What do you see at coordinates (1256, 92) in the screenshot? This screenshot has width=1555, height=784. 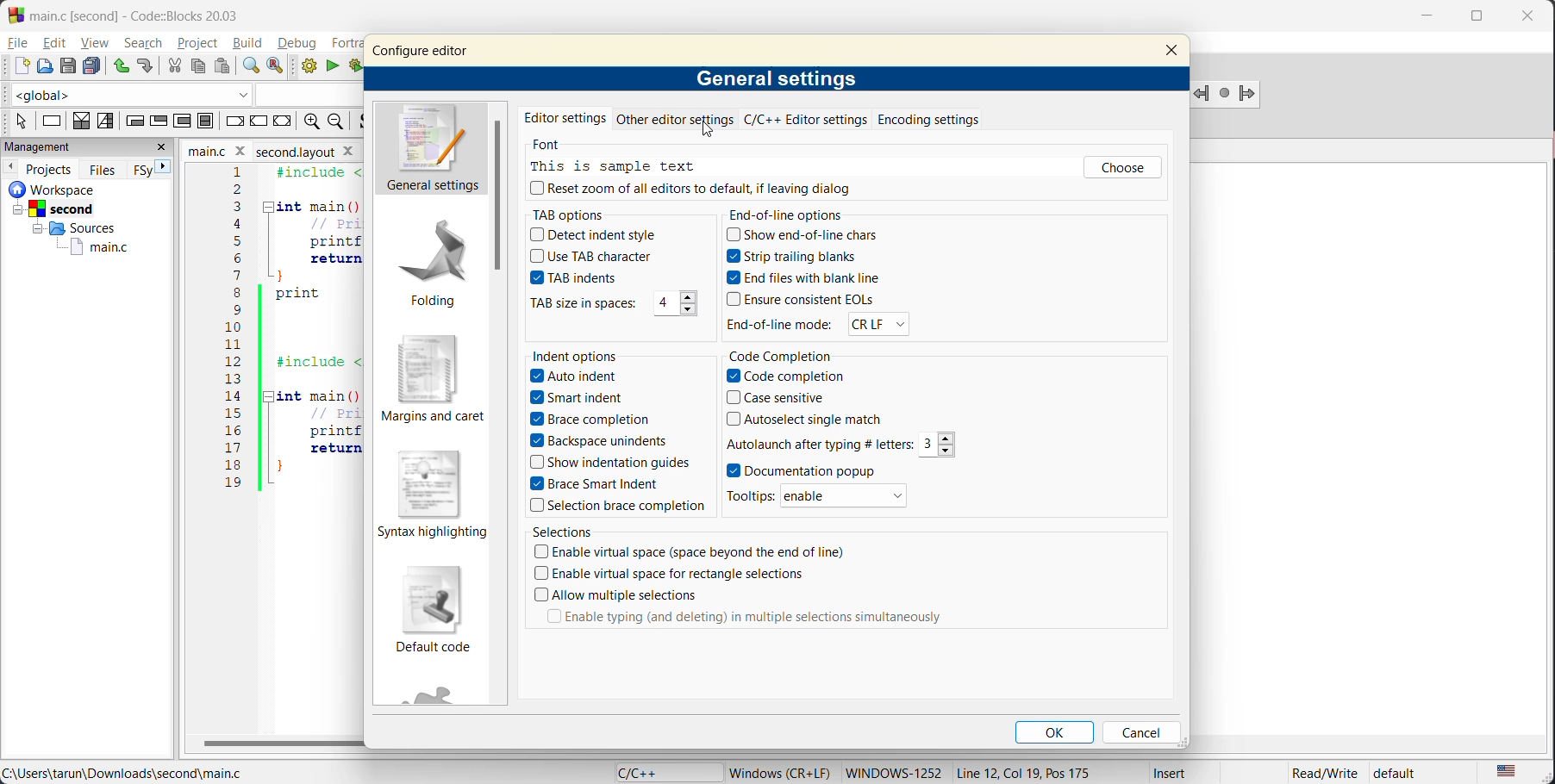 I see `jump forward` at bounding box center [1256, 92].